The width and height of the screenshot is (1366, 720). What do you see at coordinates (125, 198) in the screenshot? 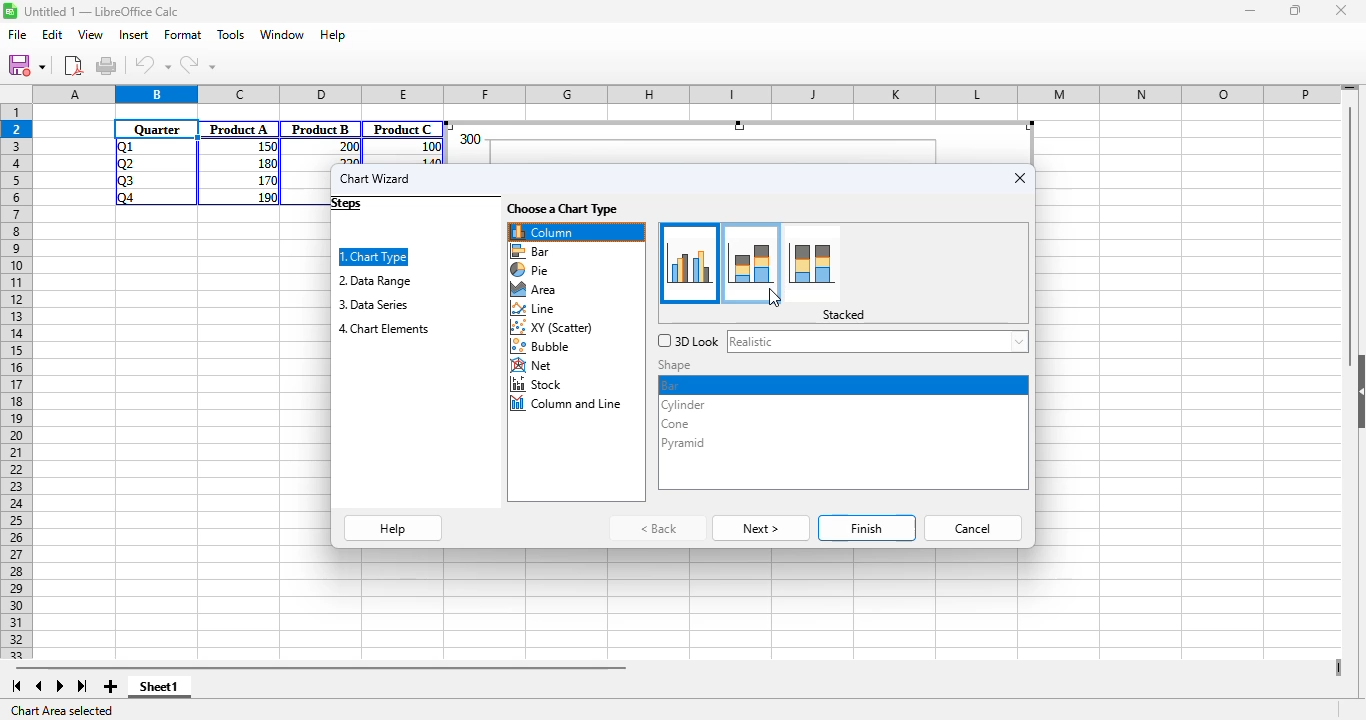
I see `Q4` at bounding box center [125, 198].